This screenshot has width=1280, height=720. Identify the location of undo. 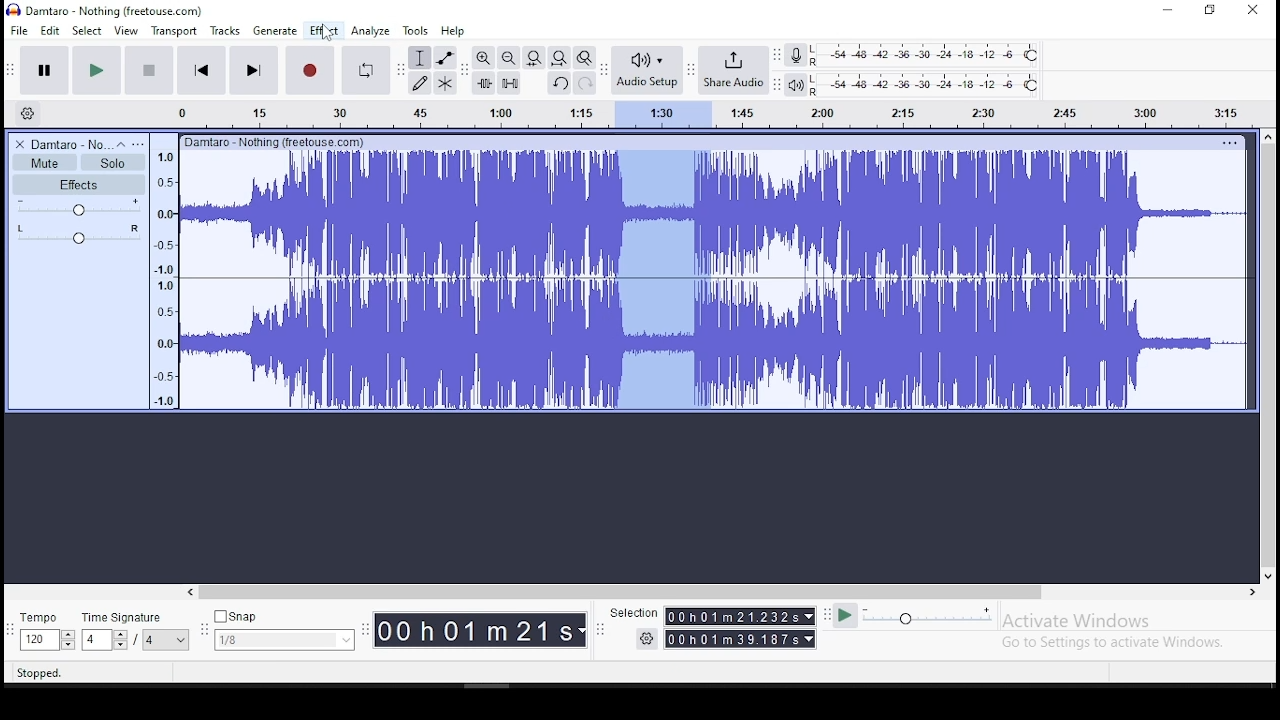
(559, 83).